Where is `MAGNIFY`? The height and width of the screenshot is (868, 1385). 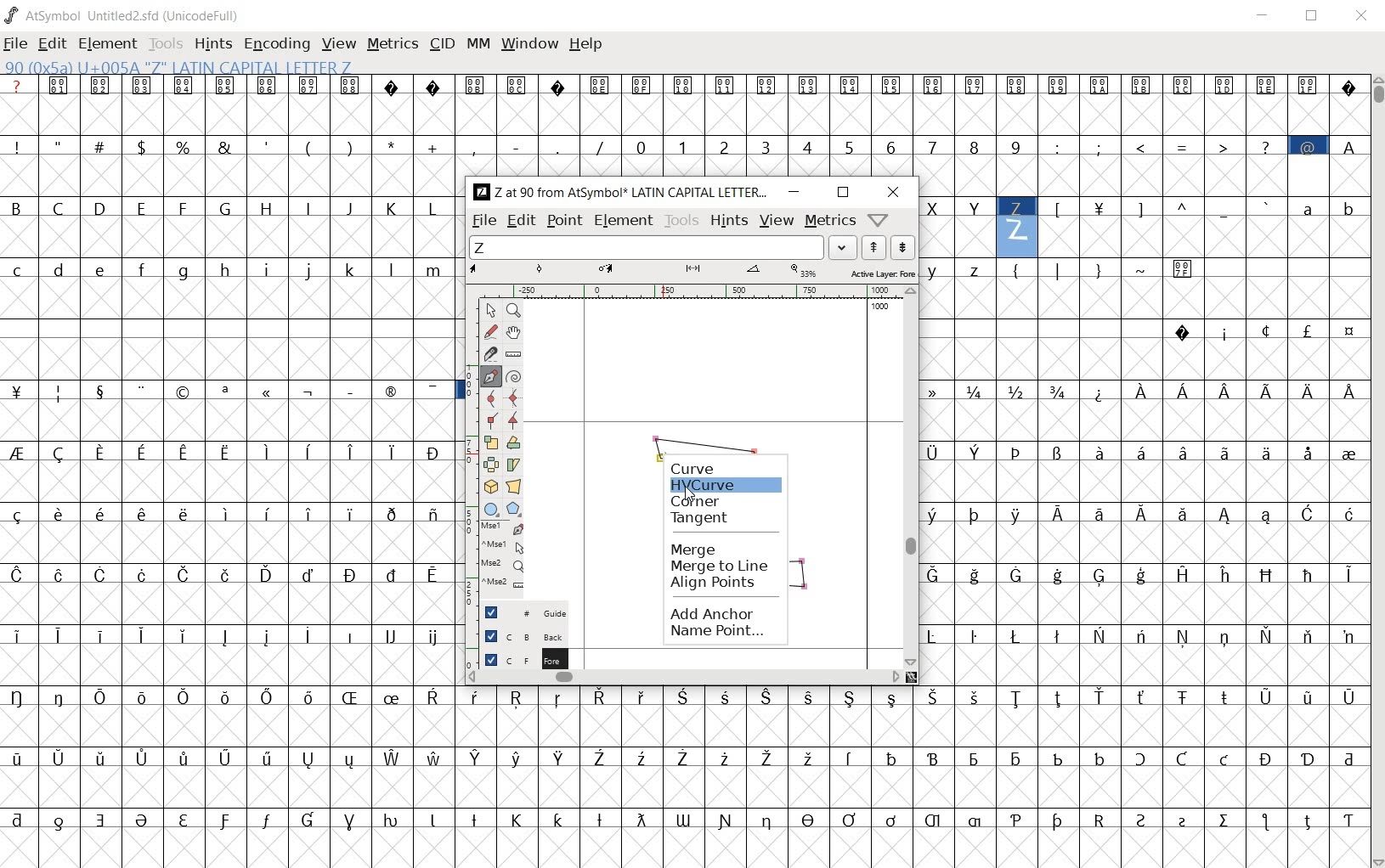
MAGNIFY is located at coordinates (513, 311).